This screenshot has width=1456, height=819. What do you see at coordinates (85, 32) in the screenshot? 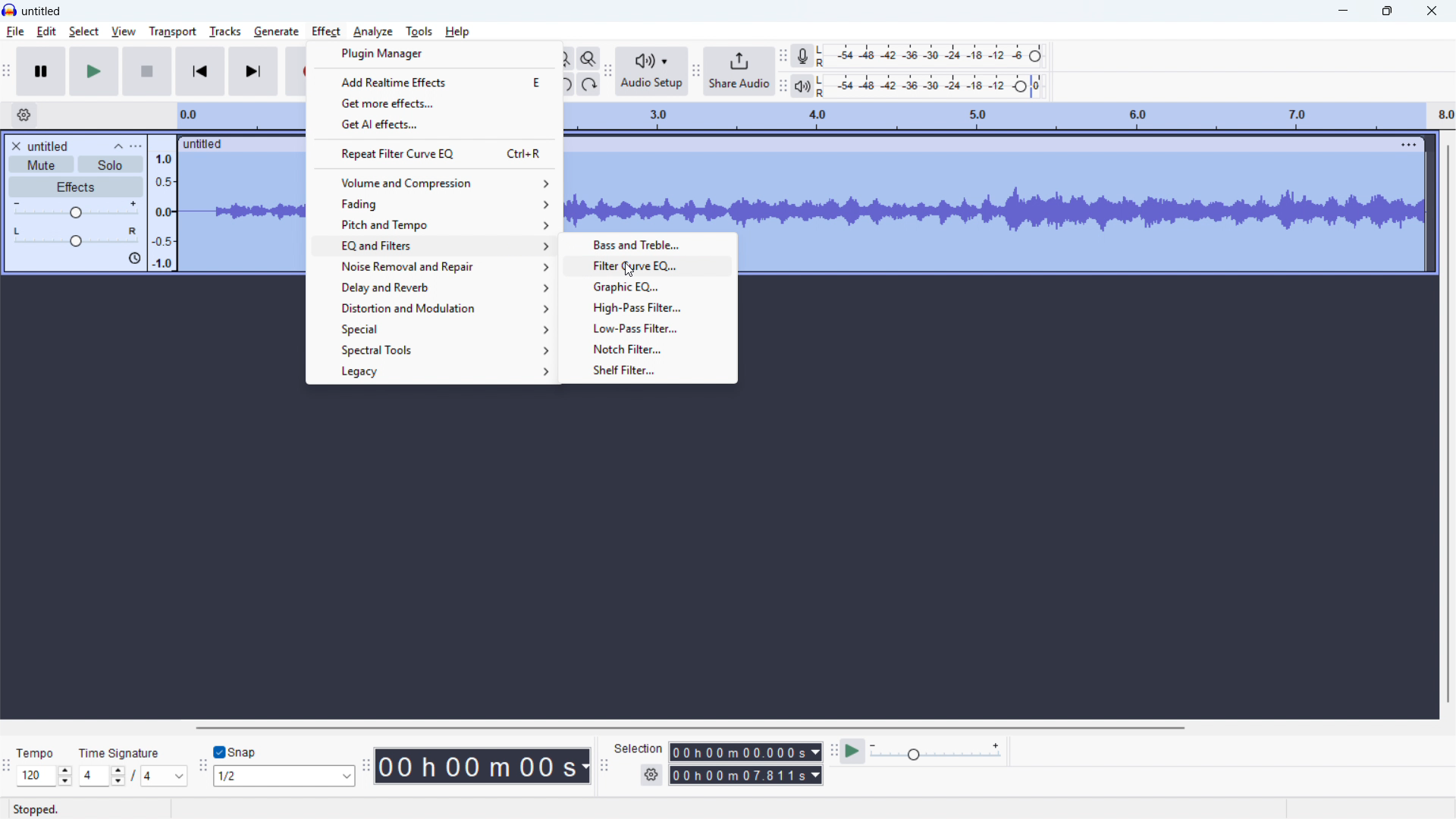
I see `select` at bounding box center [85, 32].